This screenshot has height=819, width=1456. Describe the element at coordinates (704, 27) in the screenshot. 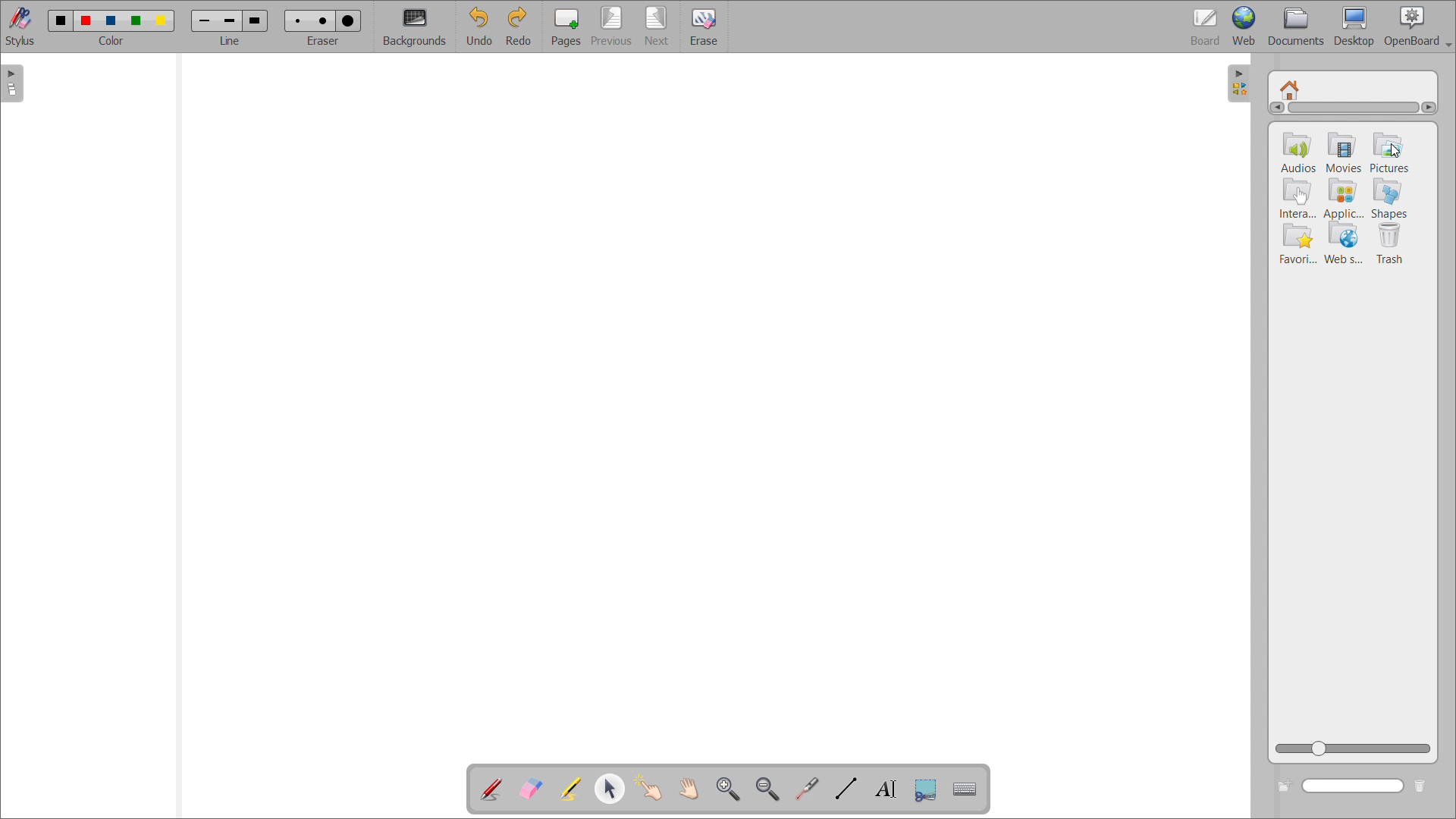

I see `erase` at that location.